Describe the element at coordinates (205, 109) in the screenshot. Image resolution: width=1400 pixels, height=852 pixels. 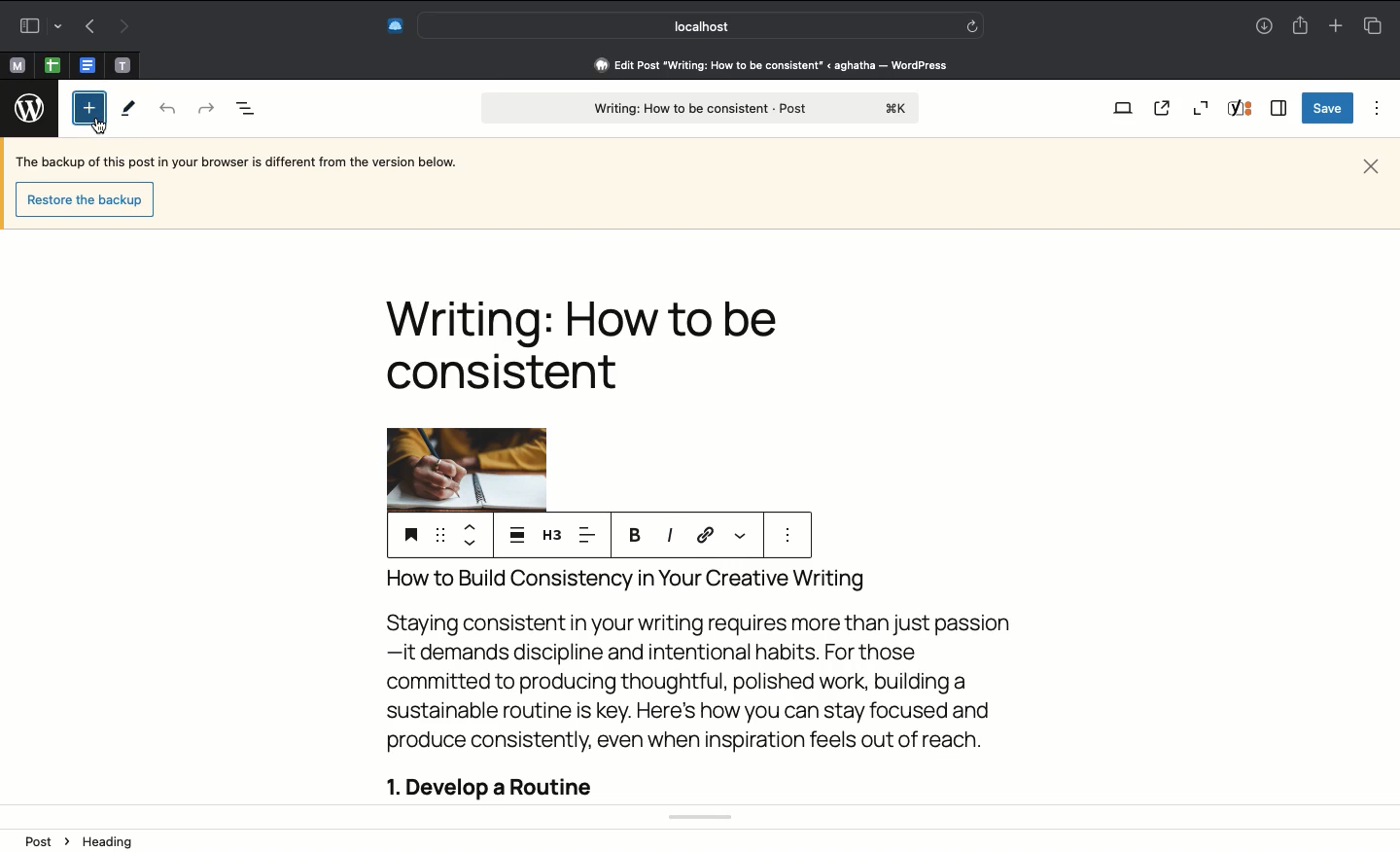
I see `Forward` at that location.